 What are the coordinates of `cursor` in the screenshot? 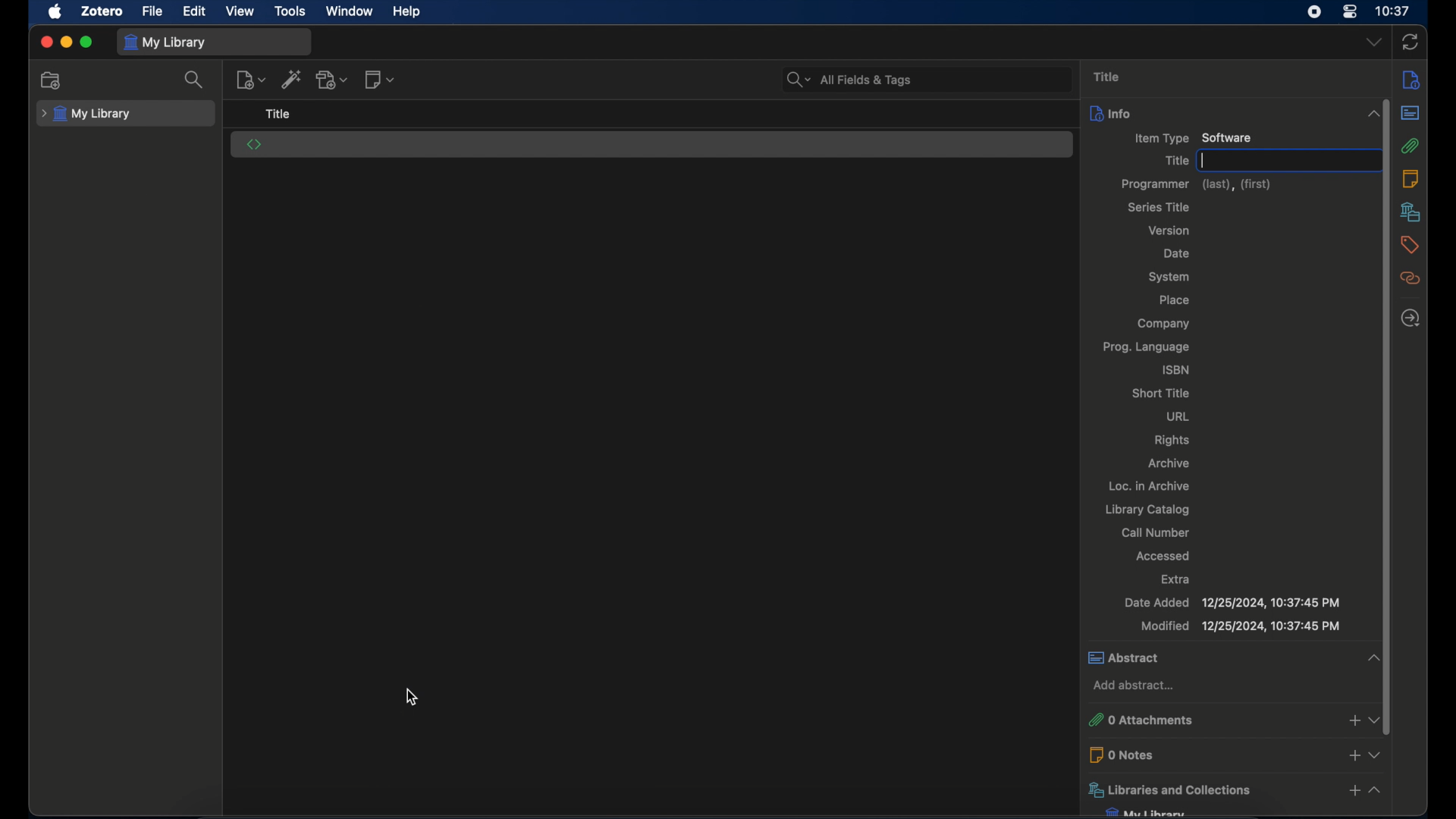 It's located at (413, 698).